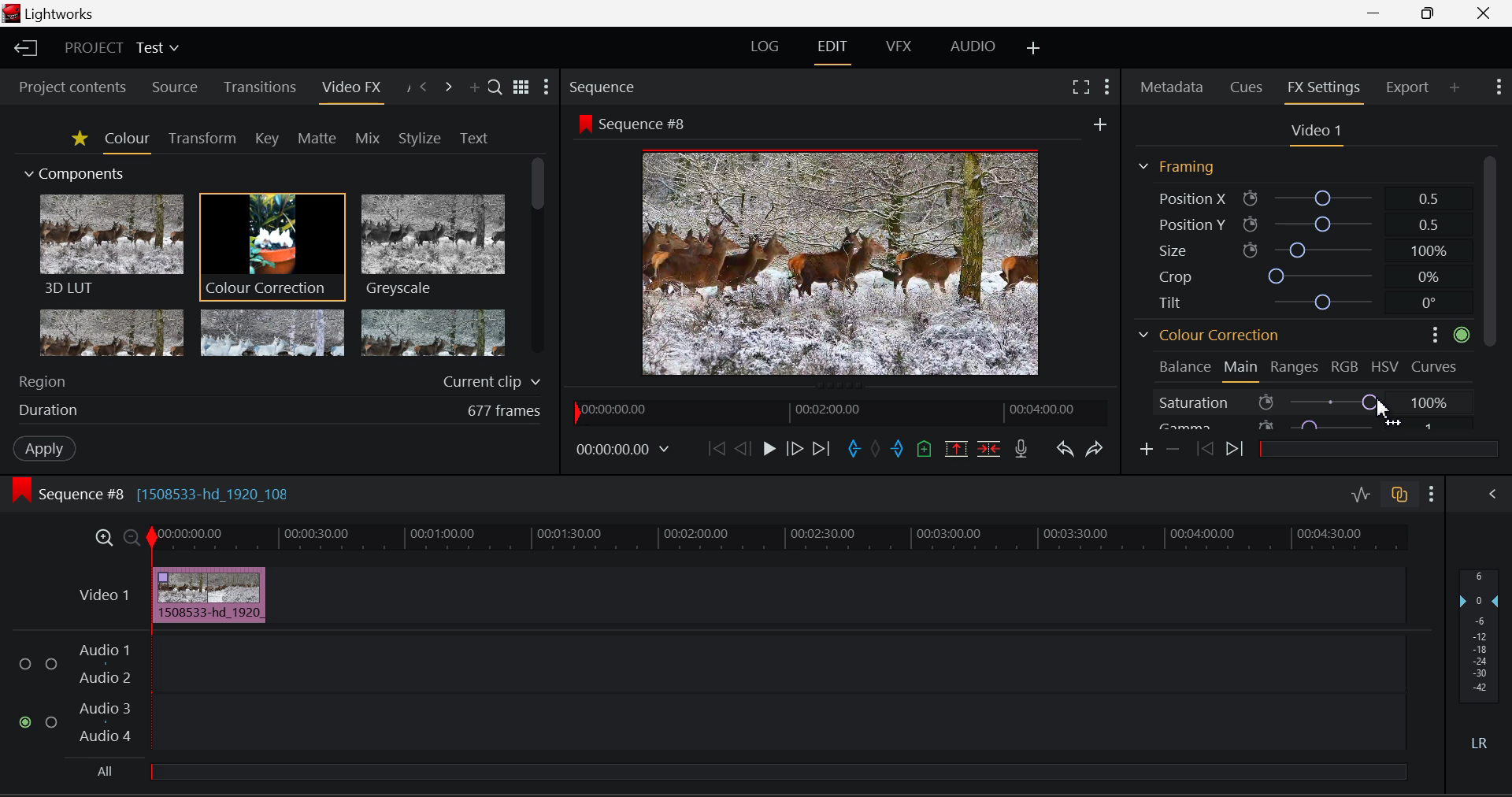  Describe the element at coordinates (1022, 449) in the screenshot. I see `Record Voiceover` at that location.